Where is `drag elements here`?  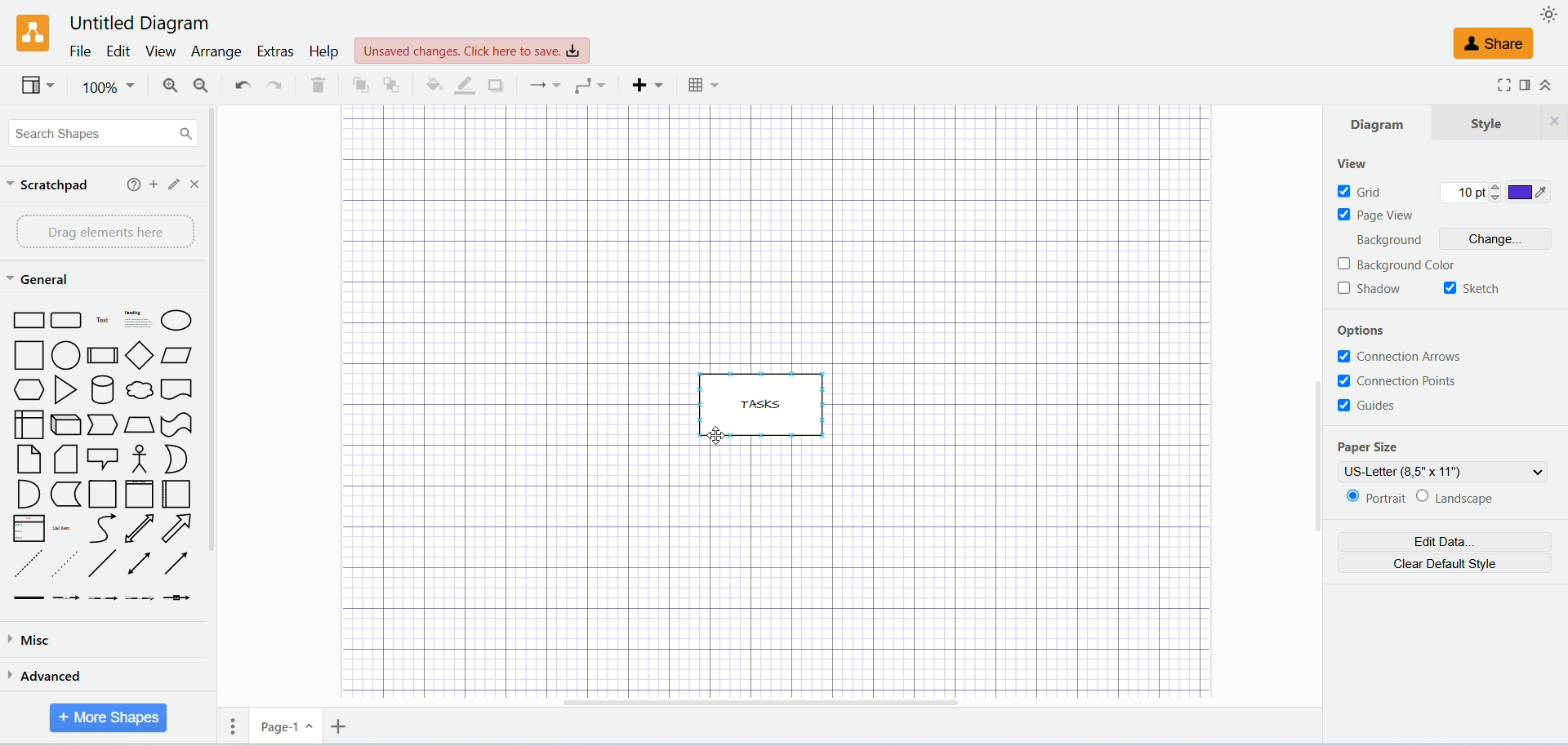 drag elements here is located at coordinates (100, 233).